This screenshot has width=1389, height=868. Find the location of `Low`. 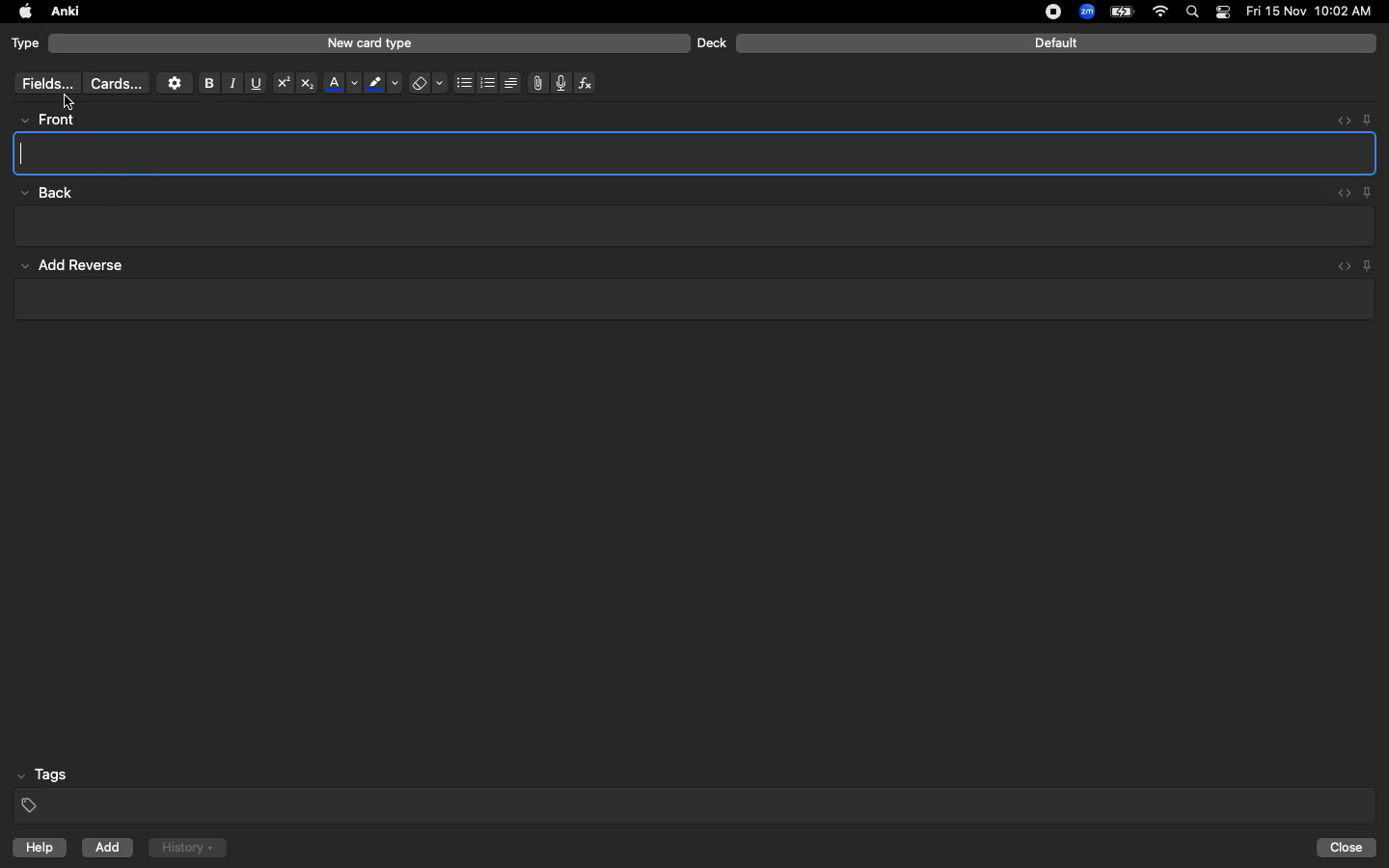

Low is located at coordinates (44, 194).